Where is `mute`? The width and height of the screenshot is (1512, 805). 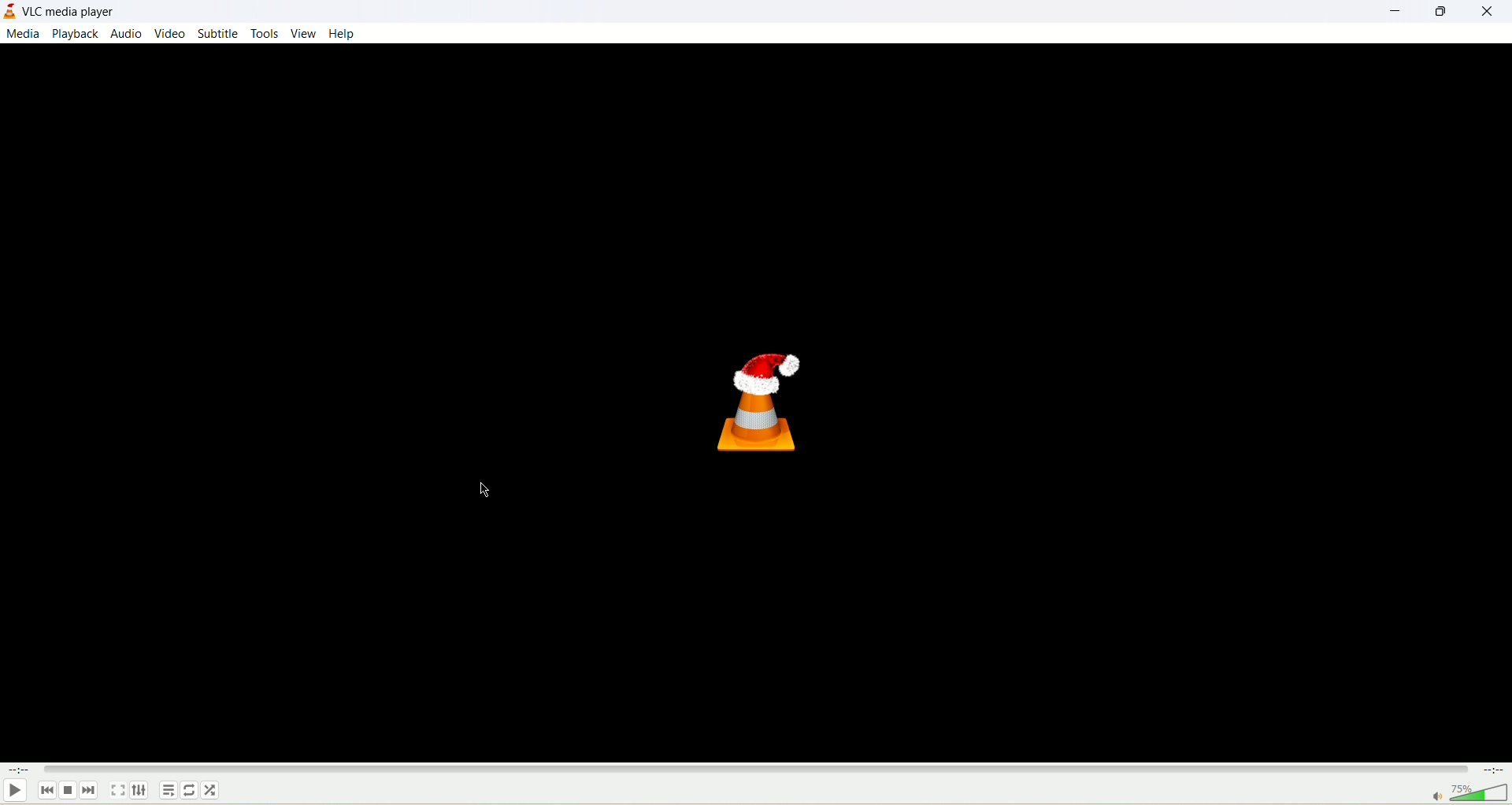
mute is located at coordinates (1433, 795).